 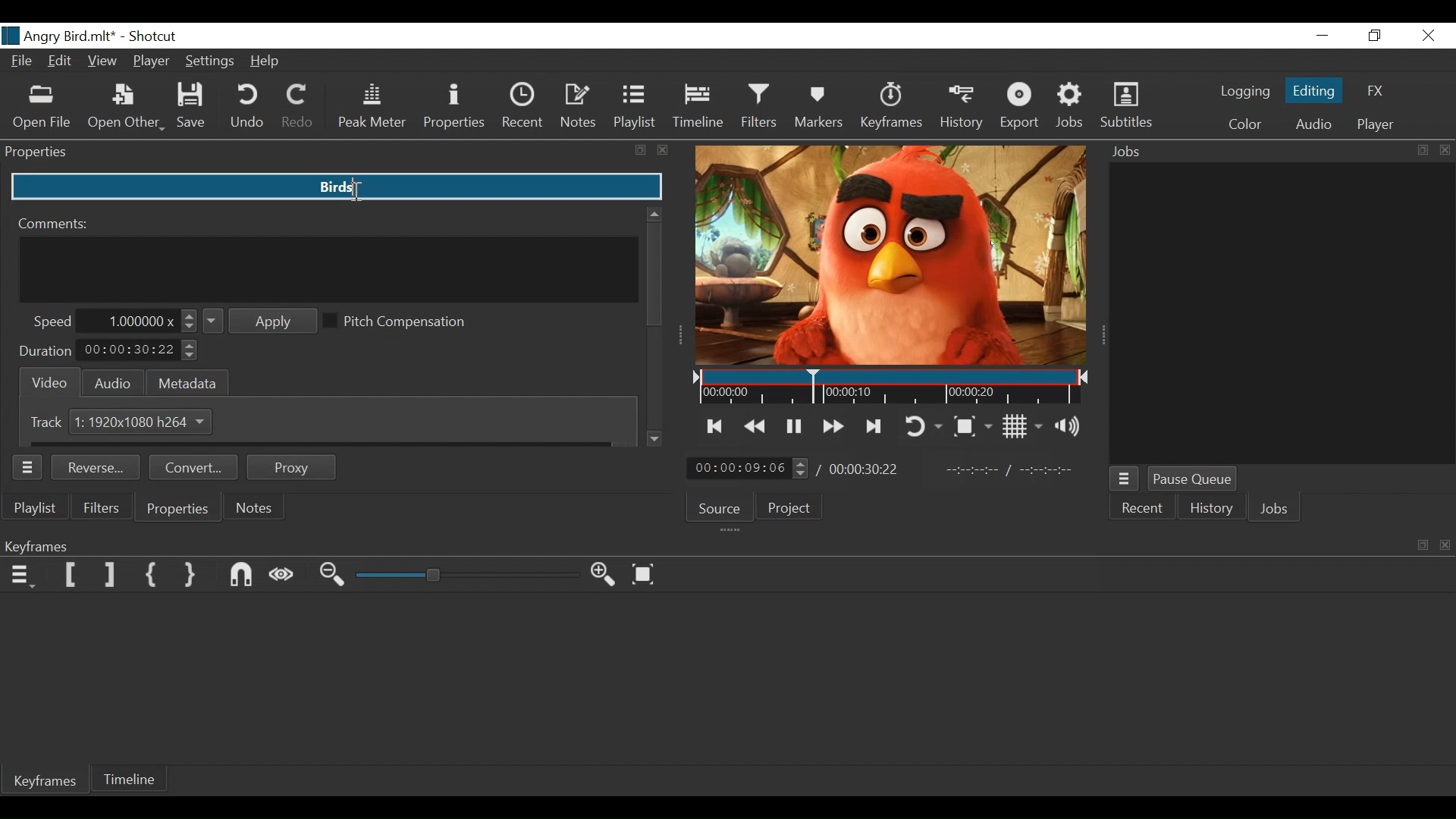 I want to click on Toggle Zoom, so click(x=975, y=425).